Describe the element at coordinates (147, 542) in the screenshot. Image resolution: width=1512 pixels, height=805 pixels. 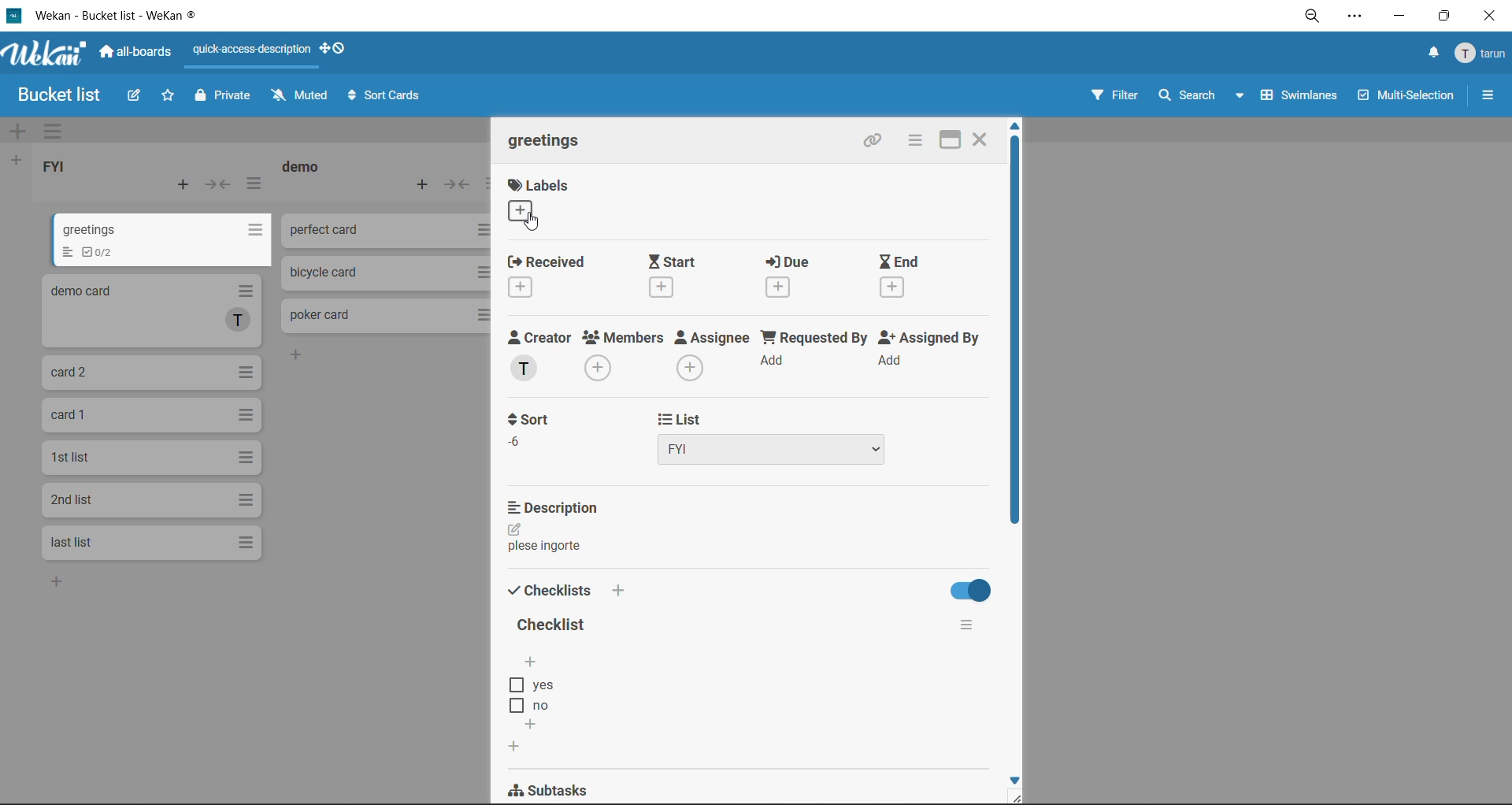
I see `card 7` at that location.